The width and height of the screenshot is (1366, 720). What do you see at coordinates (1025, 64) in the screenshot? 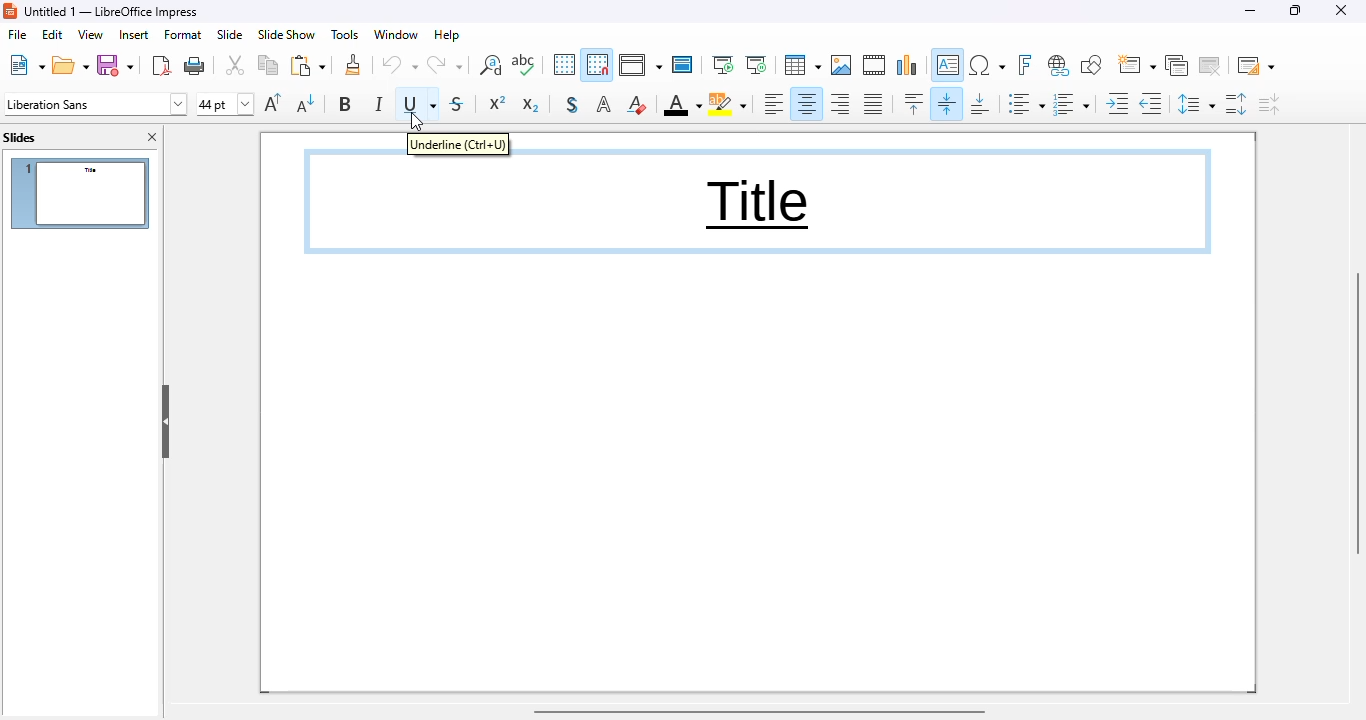
I see `insert fontwork text` at bounding box center [1025, 64].